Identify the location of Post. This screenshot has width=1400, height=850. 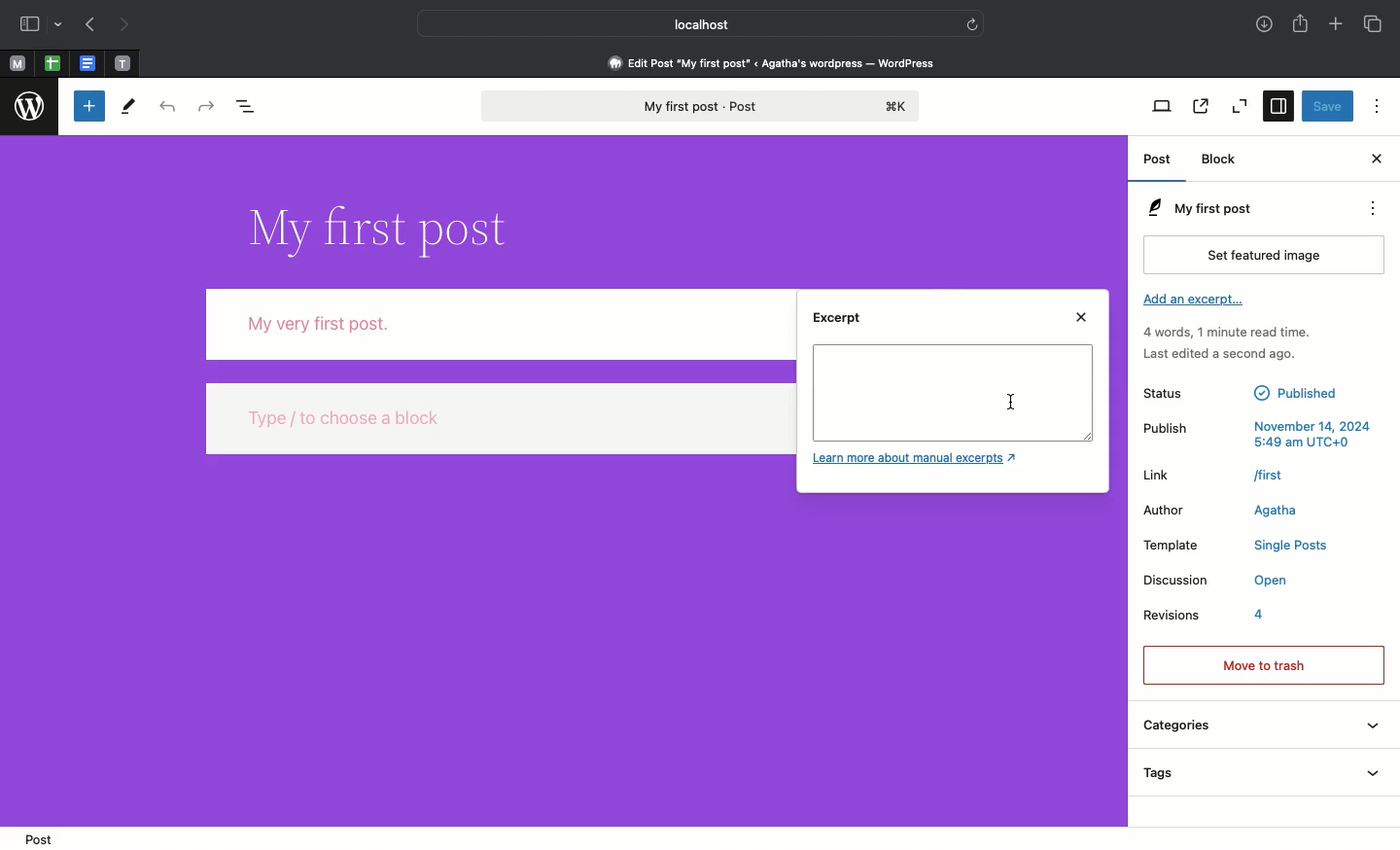
(1160, 162).